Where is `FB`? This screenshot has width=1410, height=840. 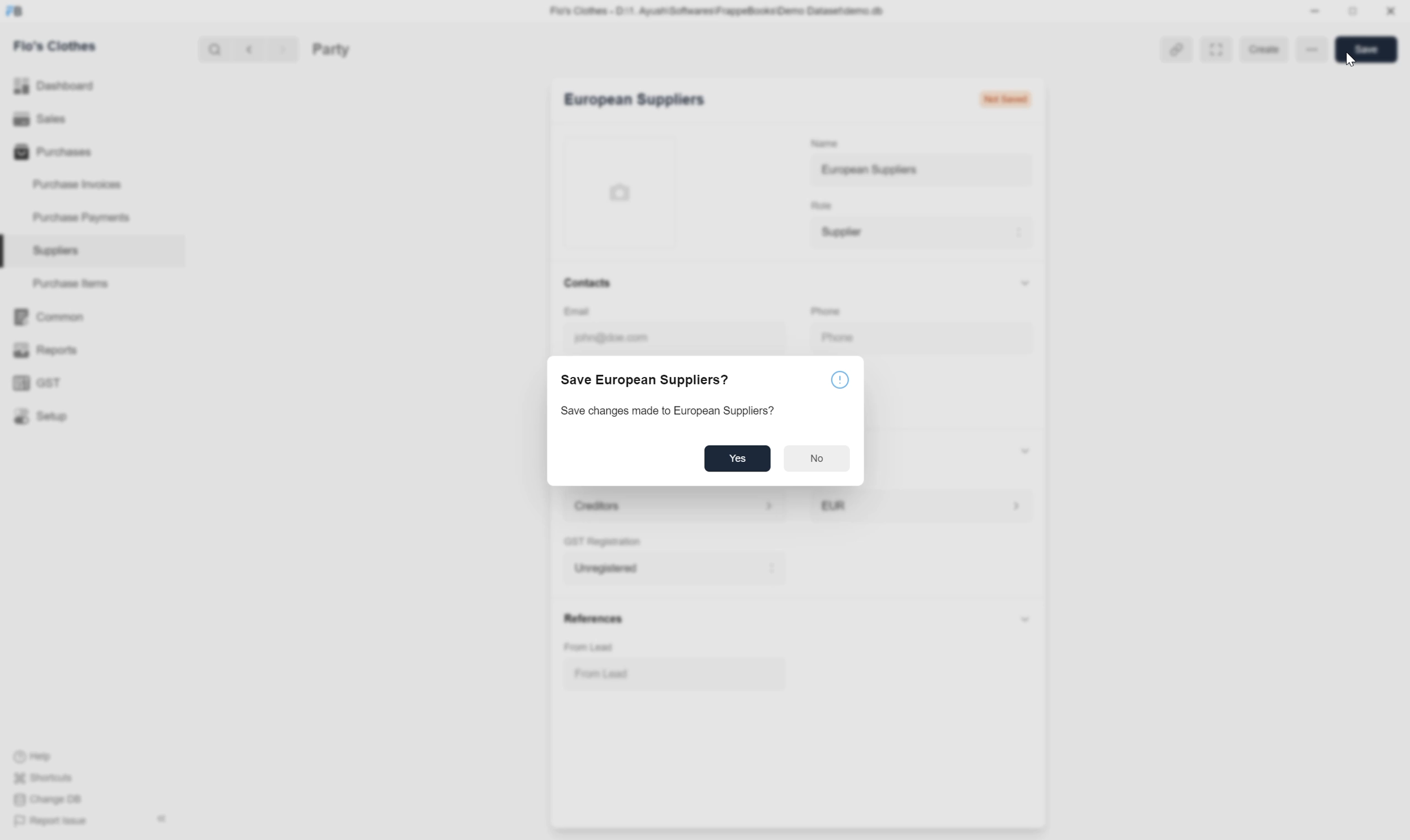
FB is located at coordinates (15, 11).